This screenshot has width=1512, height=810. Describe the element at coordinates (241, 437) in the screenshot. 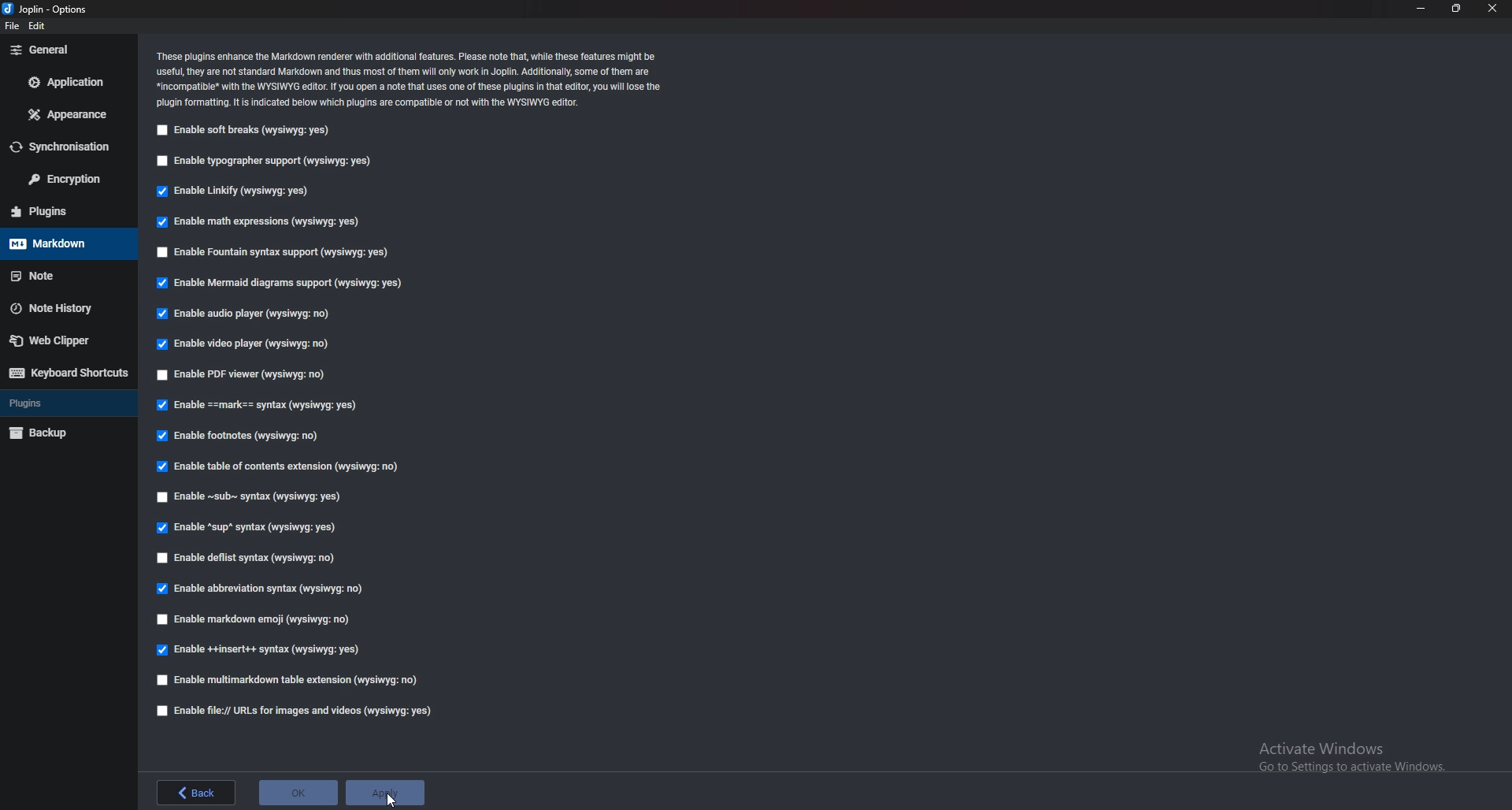

I see `Enable footnotes` at that location.